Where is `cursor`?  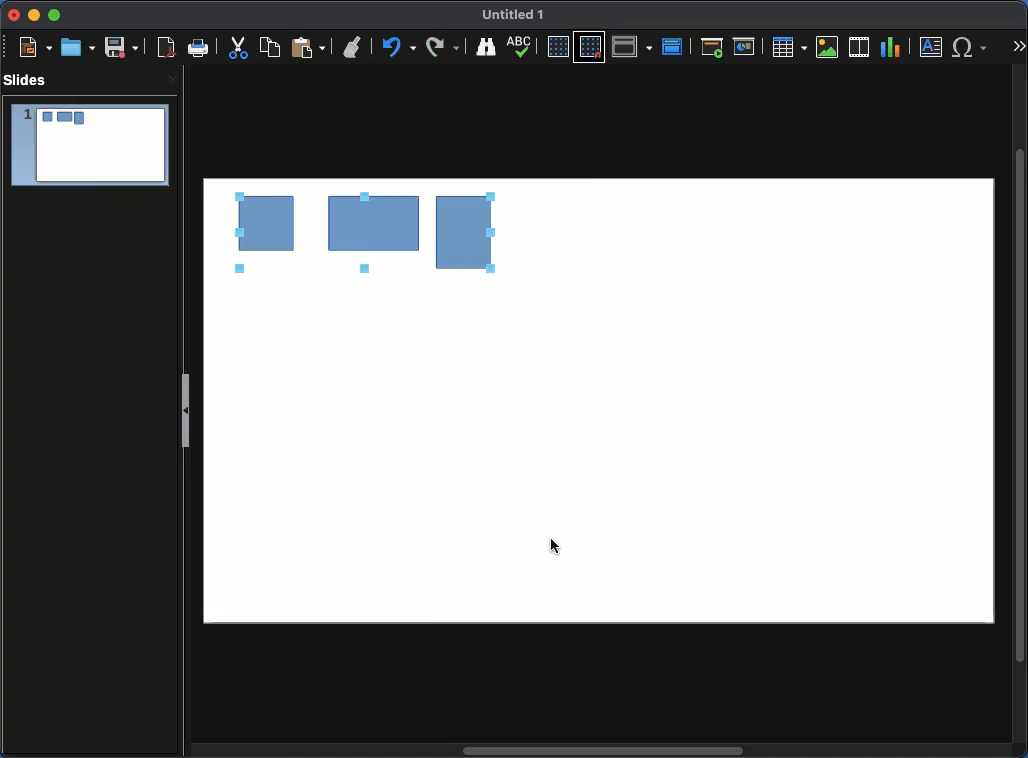 cursor is located at coordinates (556, 547).